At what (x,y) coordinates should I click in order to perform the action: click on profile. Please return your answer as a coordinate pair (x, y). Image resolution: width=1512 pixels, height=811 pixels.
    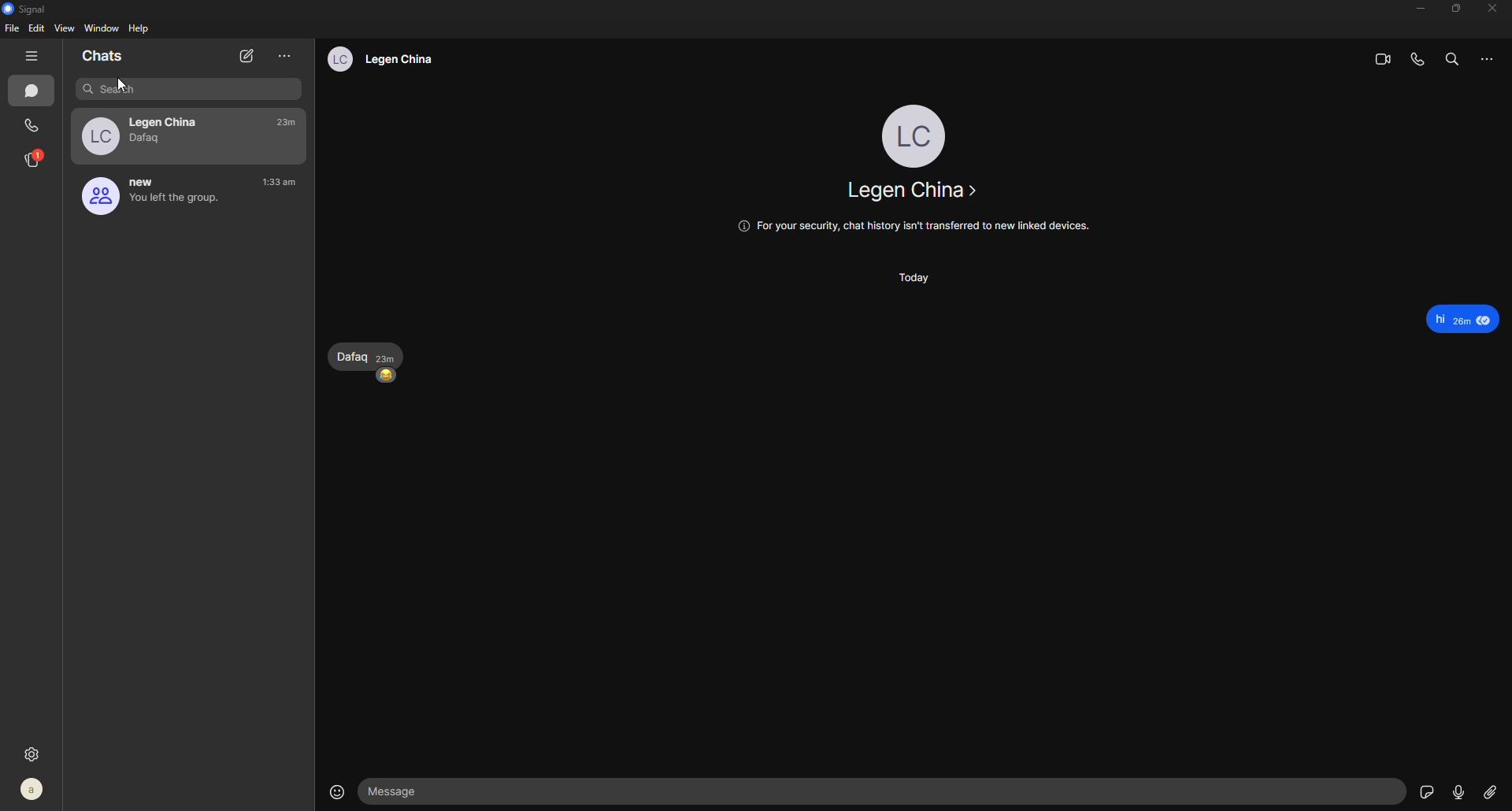
    Looking at the image, I should click on (98, 198).